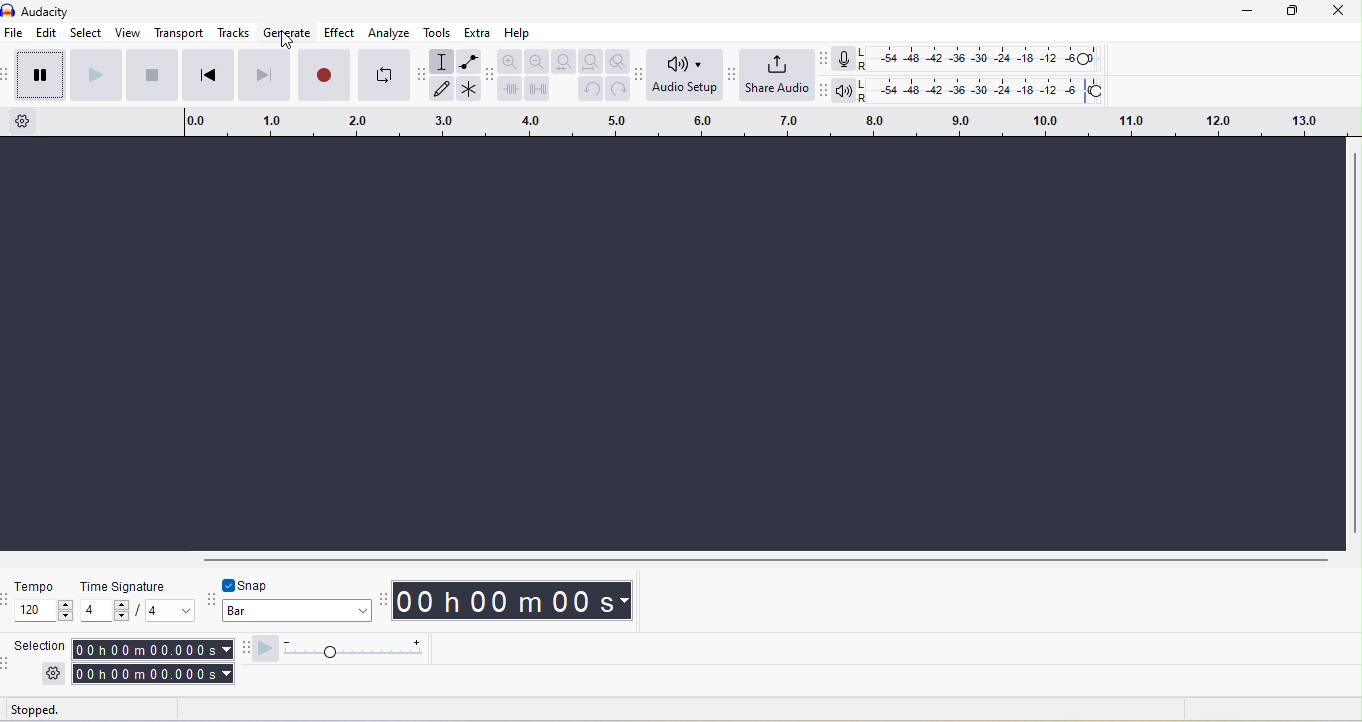 The image size is (1362, 722). What do you see at coordinates (444, 61) in the screenshot?
I see `selection tool` at bounding box center [444, 61].